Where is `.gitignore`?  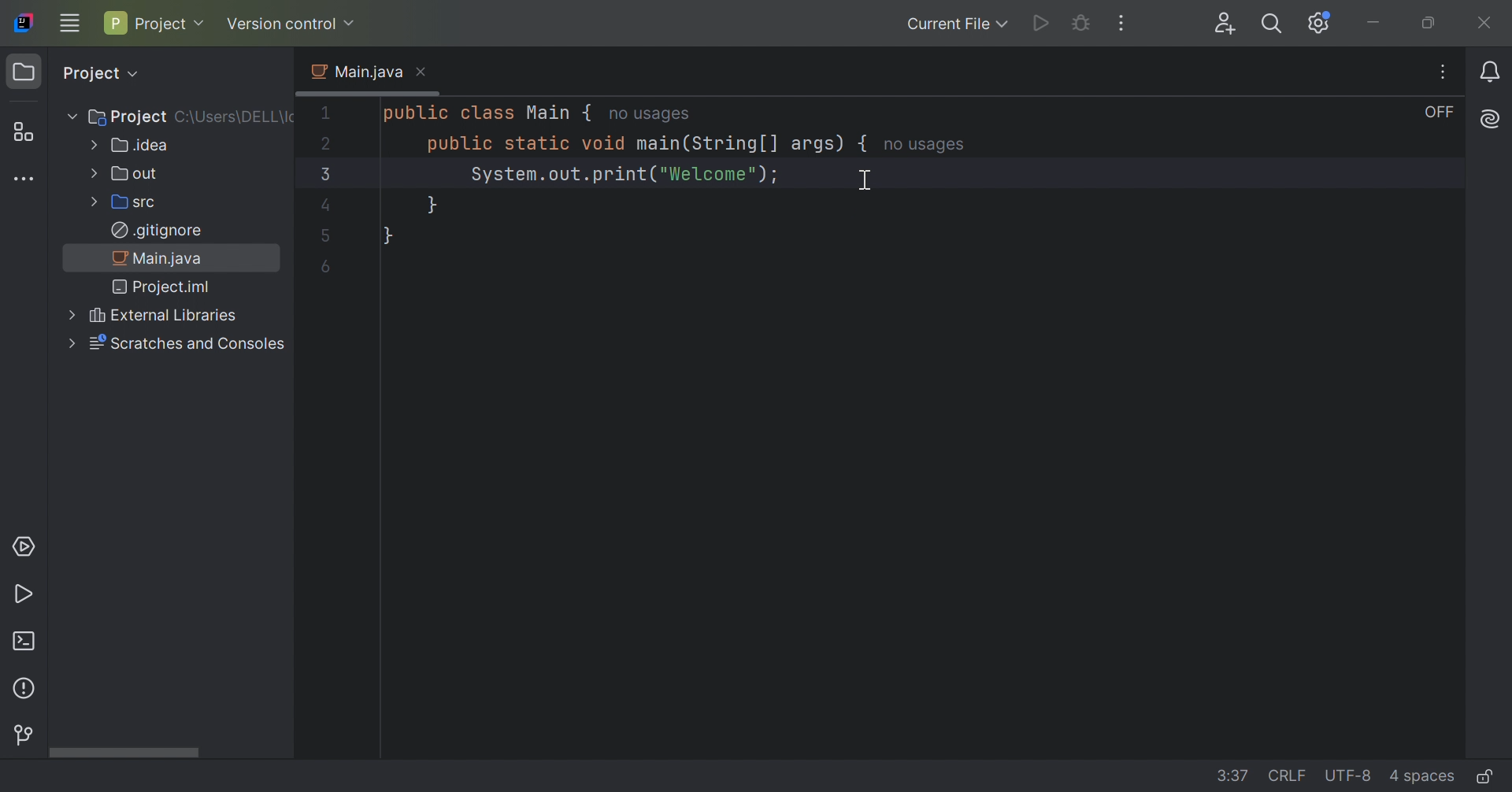 .gitignore is located at coordinates (156, 231).